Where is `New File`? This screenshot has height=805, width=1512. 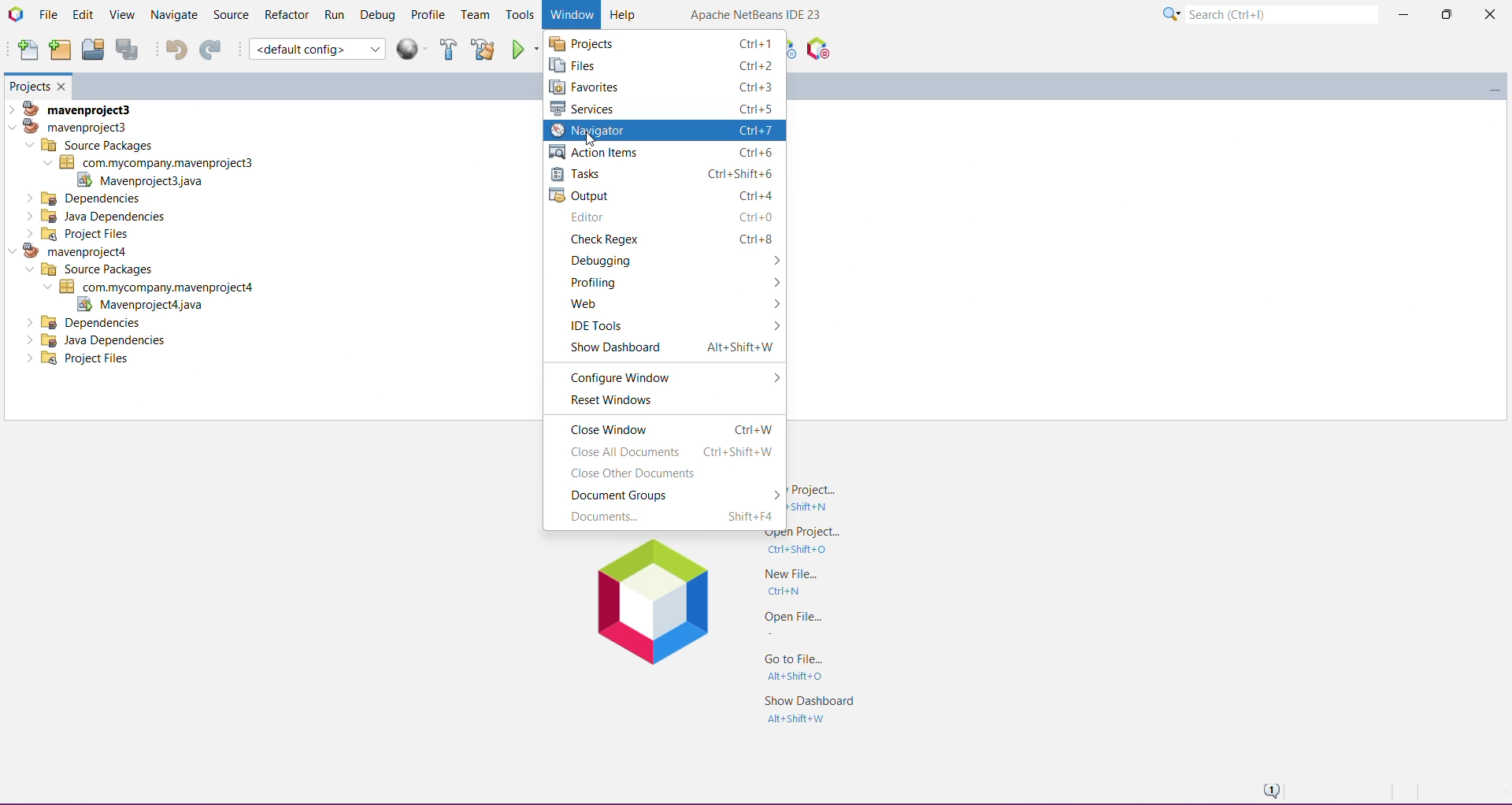
New File is located at coordinates (27, 50).